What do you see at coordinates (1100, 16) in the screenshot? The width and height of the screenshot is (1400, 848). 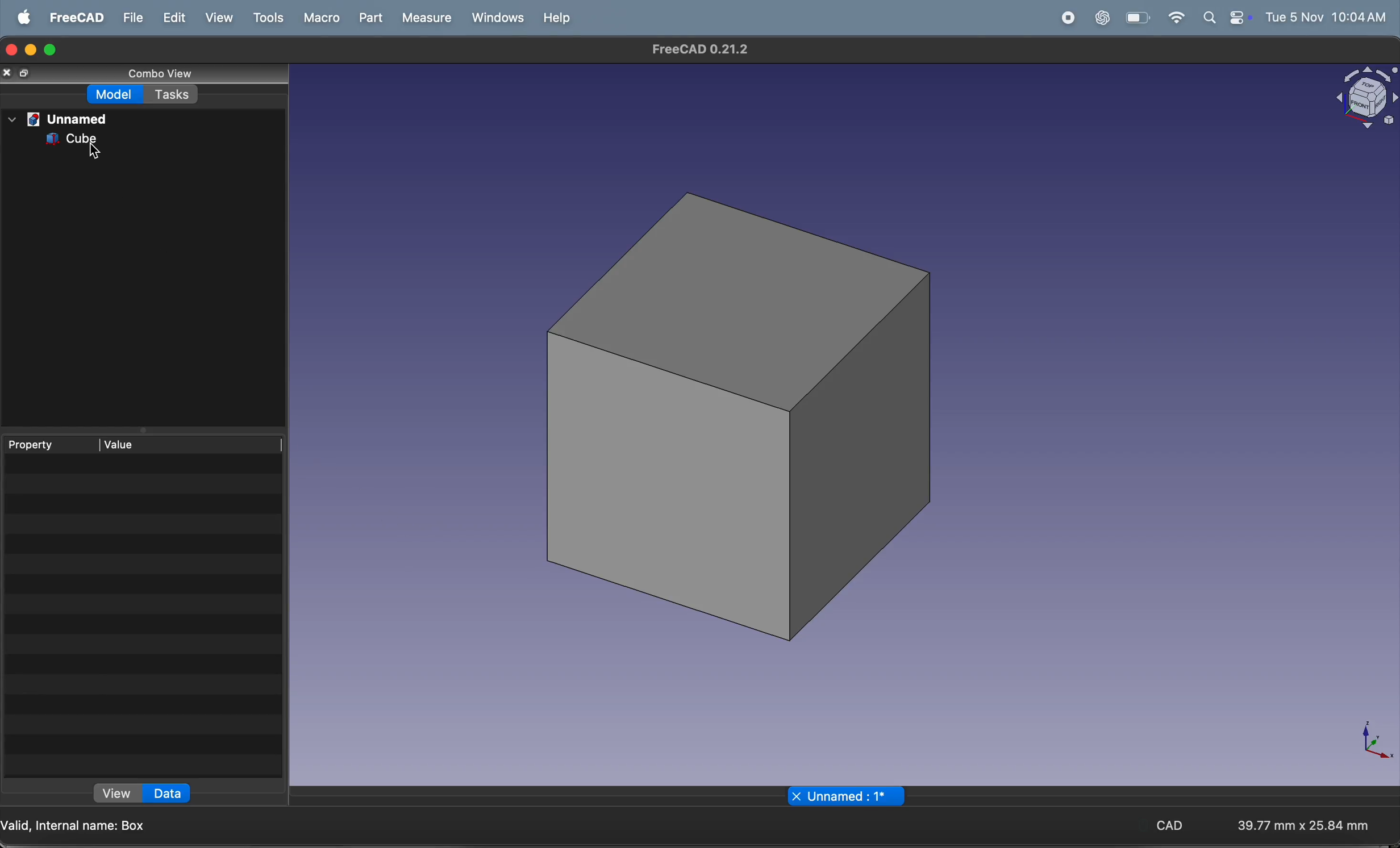 I see `chatgpt` at bounding box center [1100, 16].